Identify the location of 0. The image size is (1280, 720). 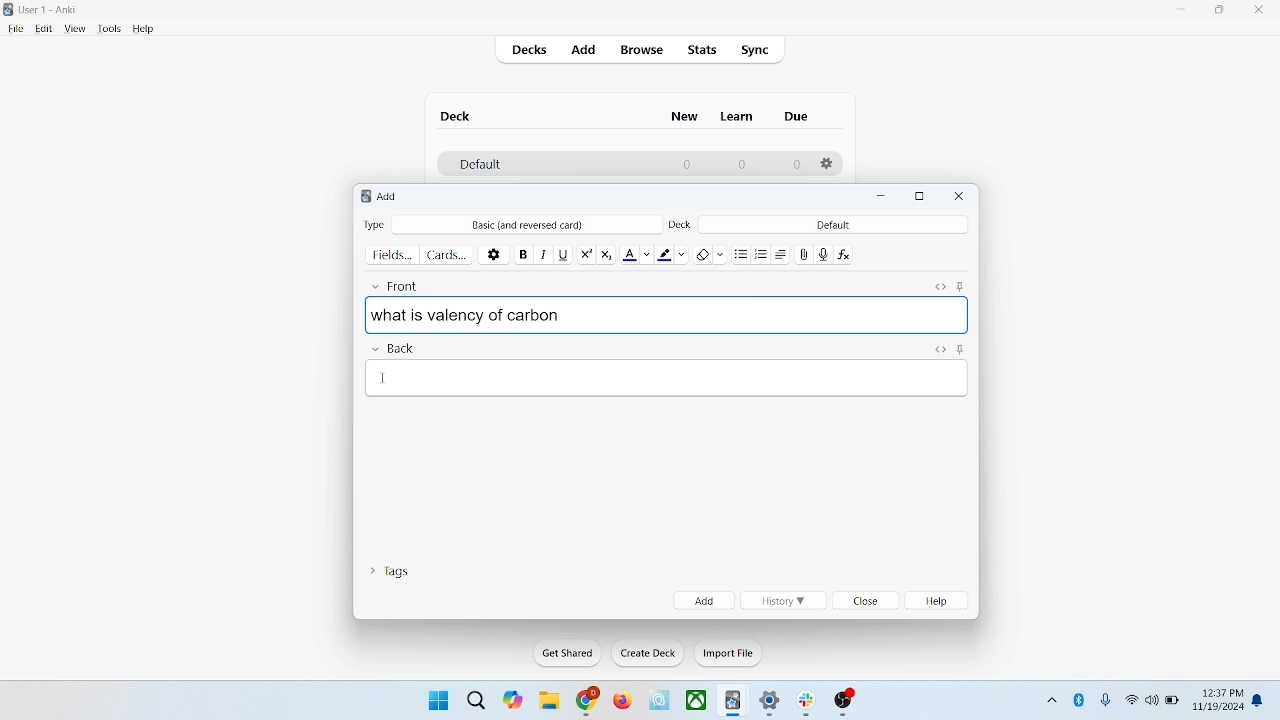
(688, 164).